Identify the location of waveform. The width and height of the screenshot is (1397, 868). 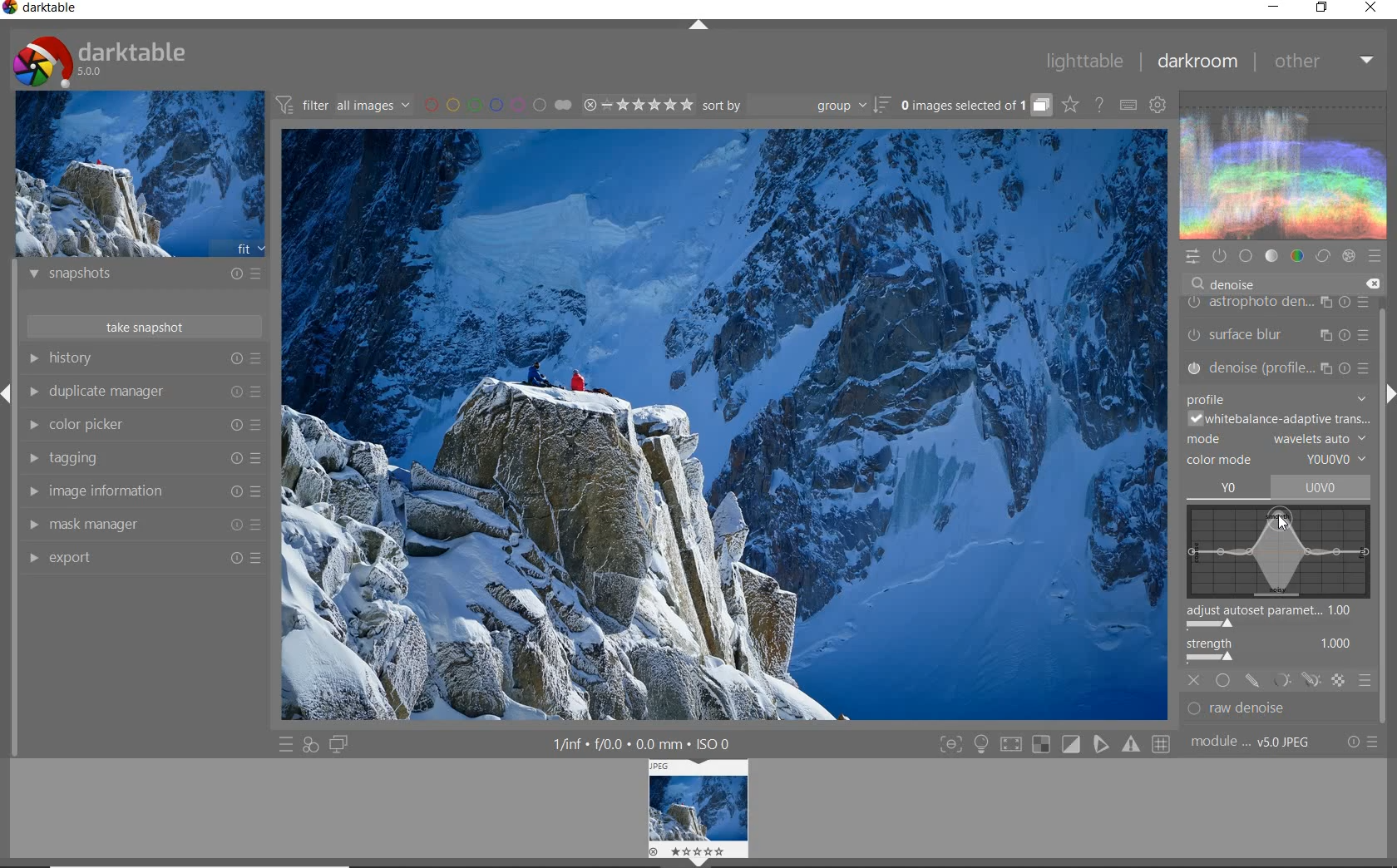
(1281, 164).